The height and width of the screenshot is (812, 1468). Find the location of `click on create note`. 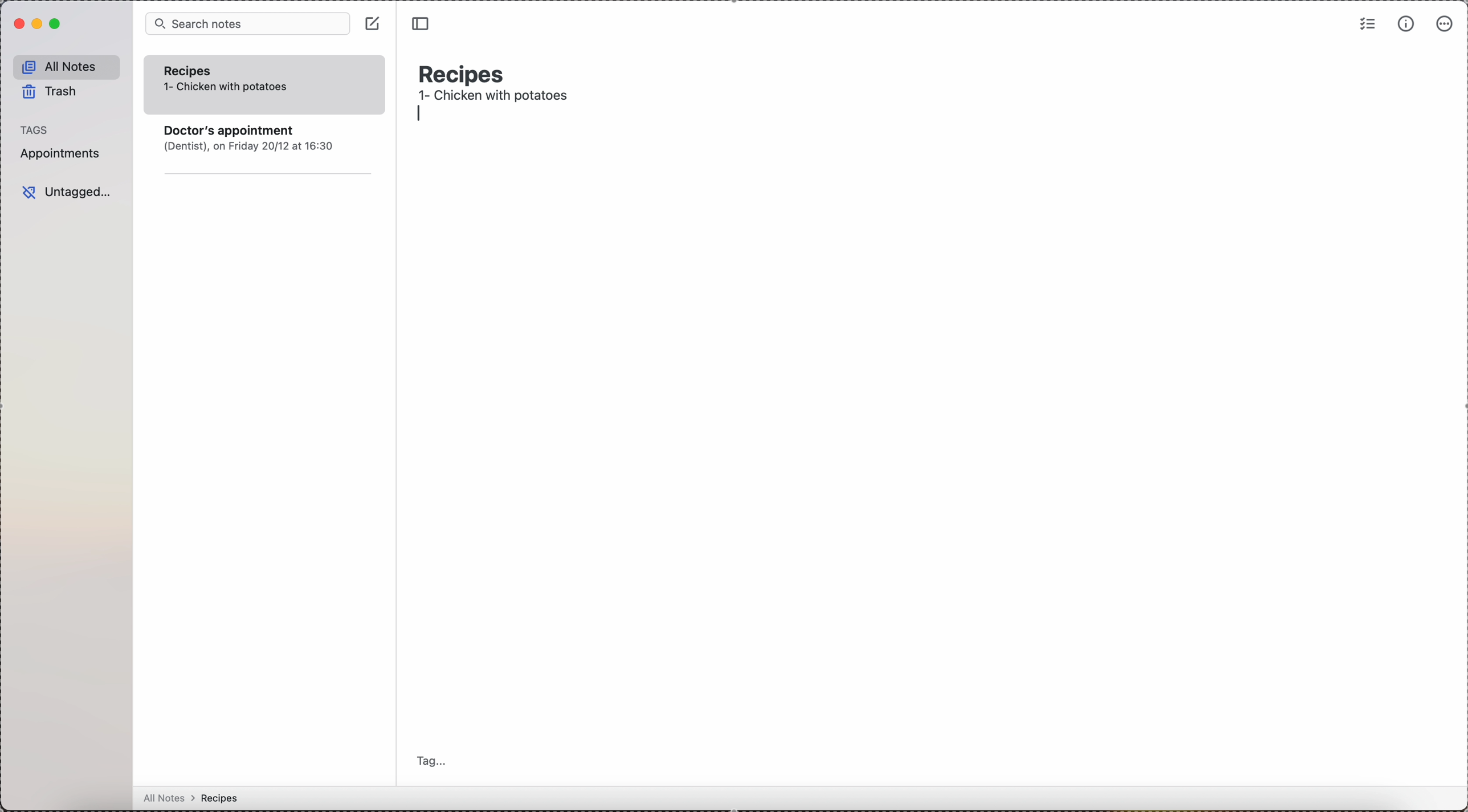

click on create note is located at coordinates (372, 24).